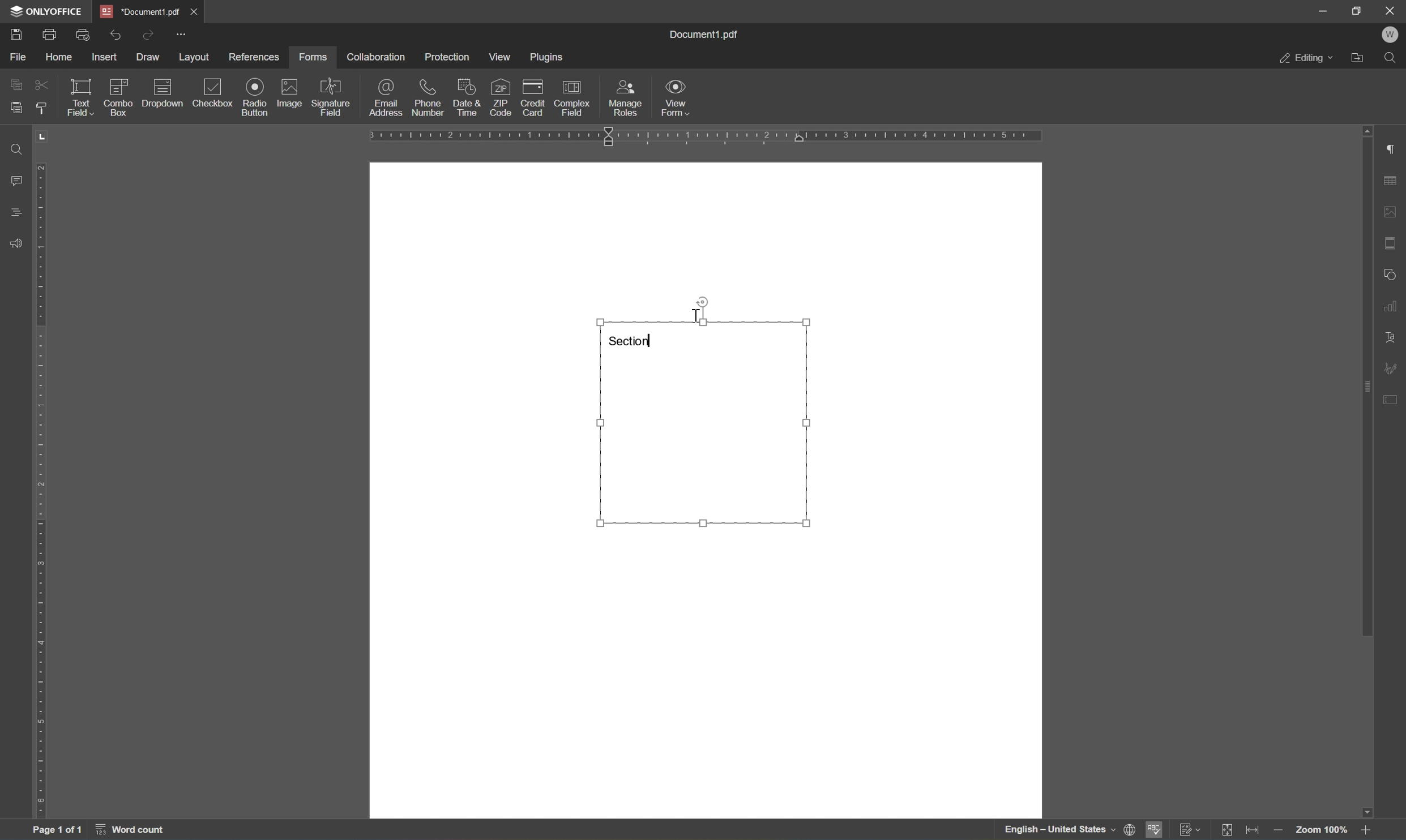 Image resolution: width=1406 pixels, height=840 pixels. I want to click on text field, so click(78, 96).